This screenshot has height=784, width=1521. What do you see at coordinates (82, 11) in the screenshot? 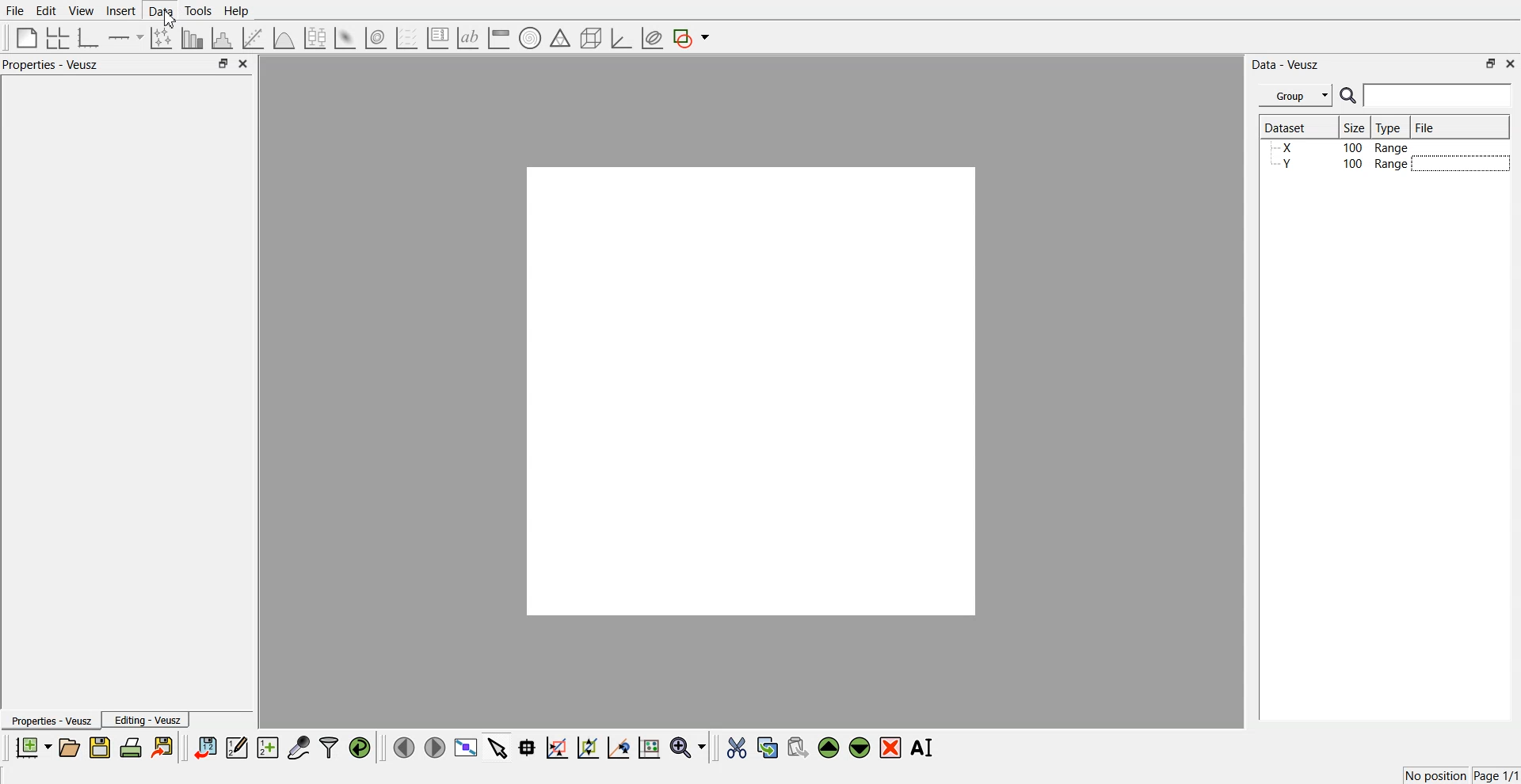
I see `View` at bounding box center [82, 11].